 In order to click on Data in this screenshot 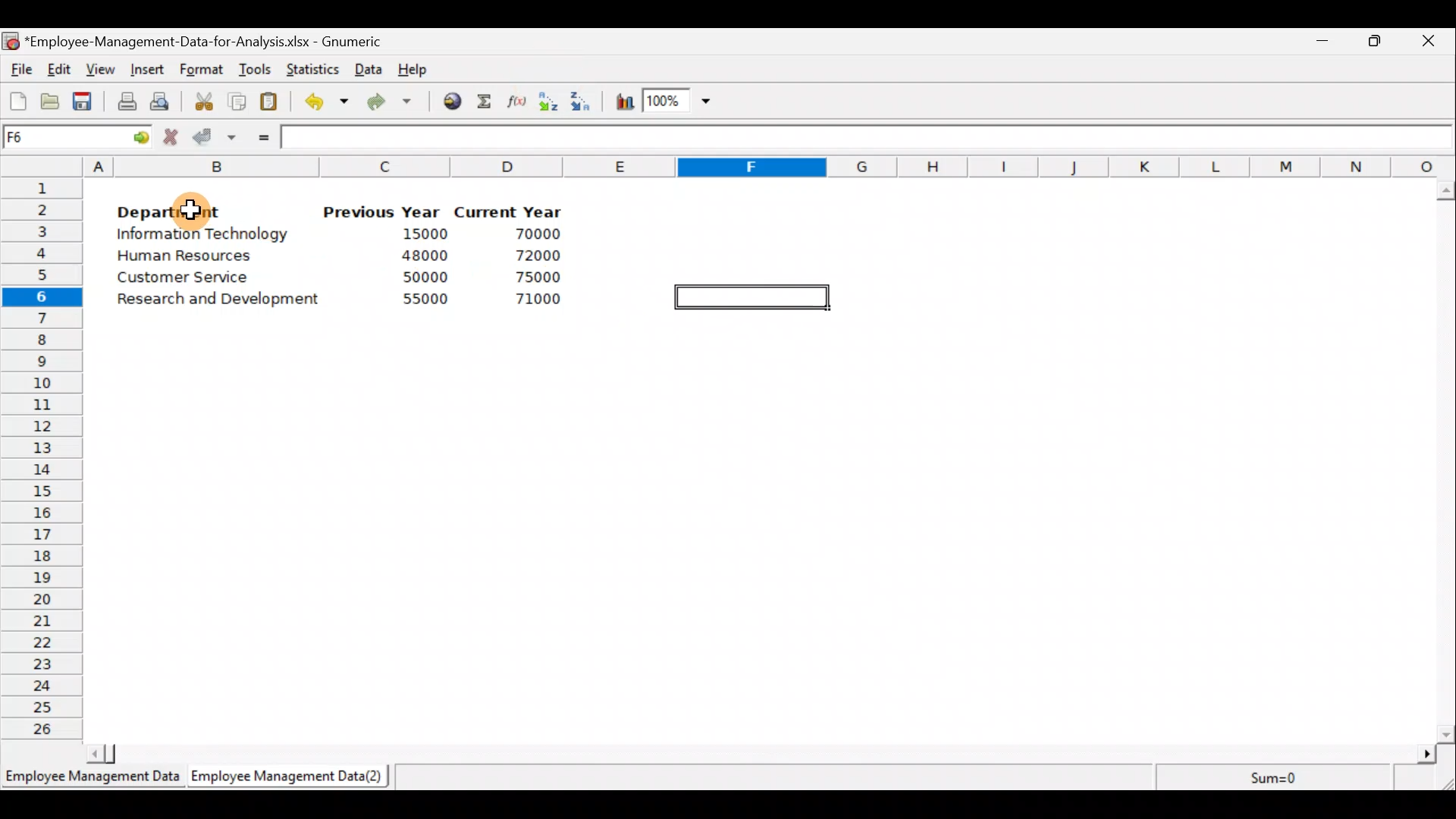, I will do `click(369, 69)`.